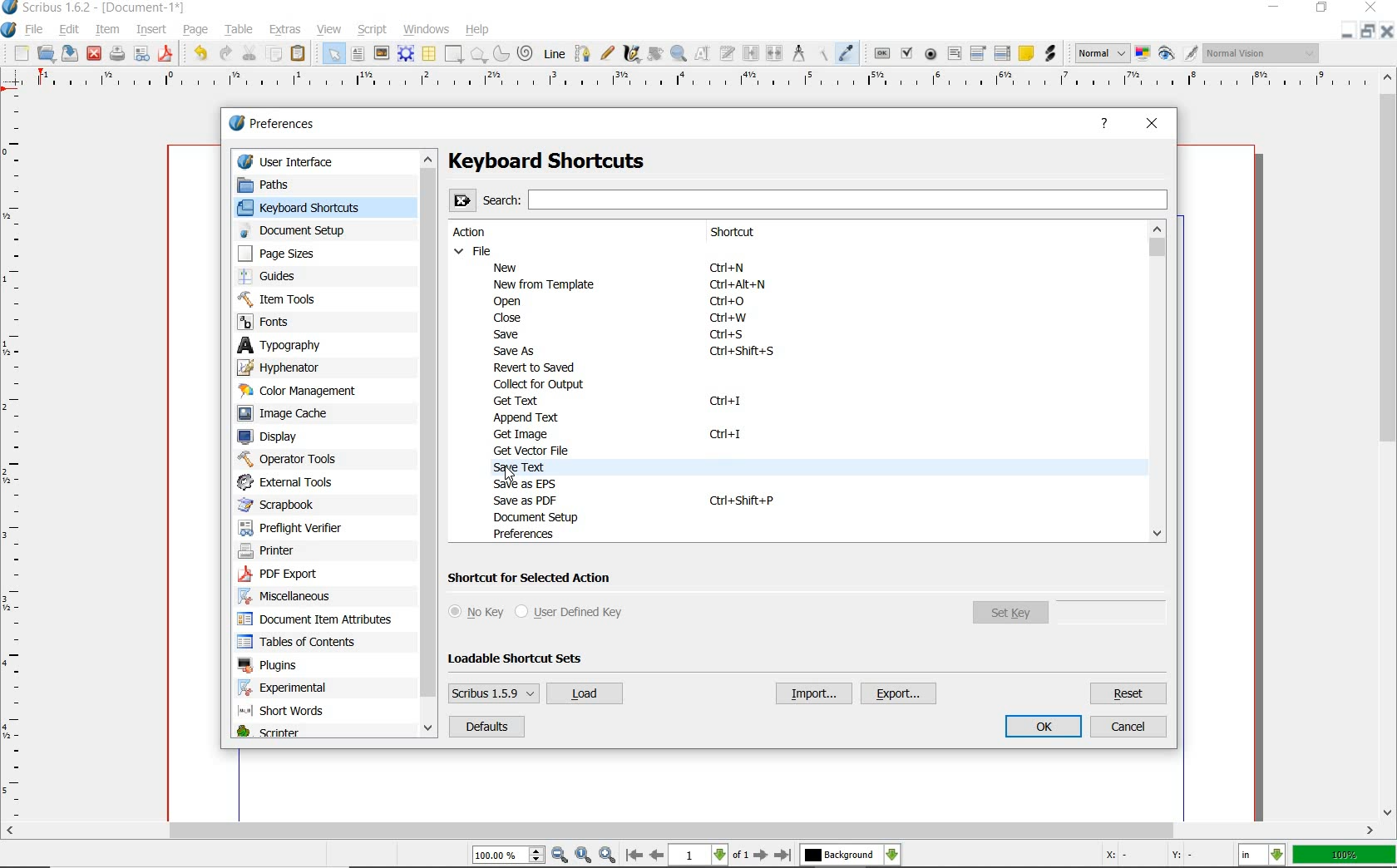  What do you see at coordinates (288, 459) in the screenshot?
I see `operator tools` at bounding box center [288, 459].